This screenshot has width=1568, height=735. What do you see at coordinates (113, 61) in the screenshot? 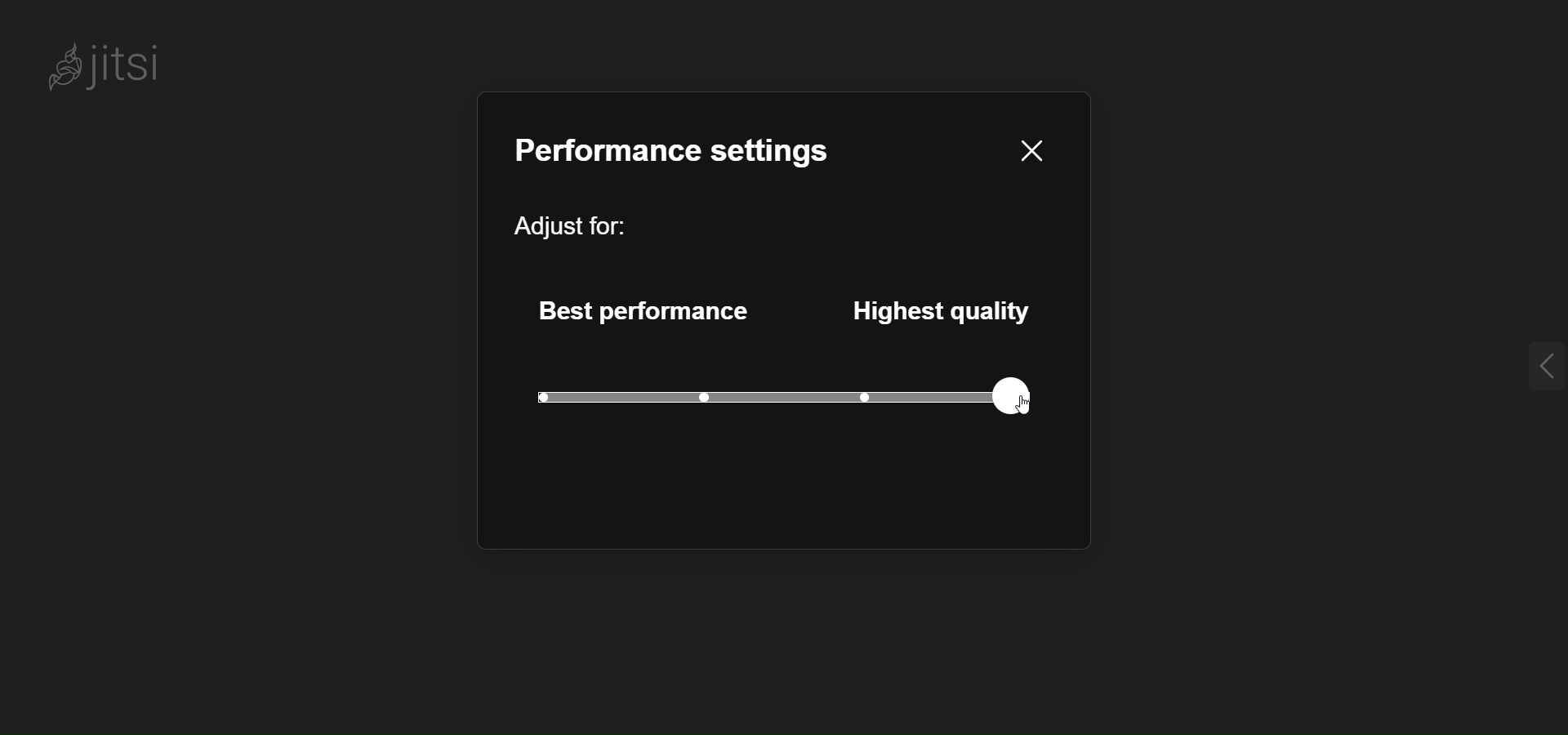
I see `Jitsi` at bounding box center [113, 61].